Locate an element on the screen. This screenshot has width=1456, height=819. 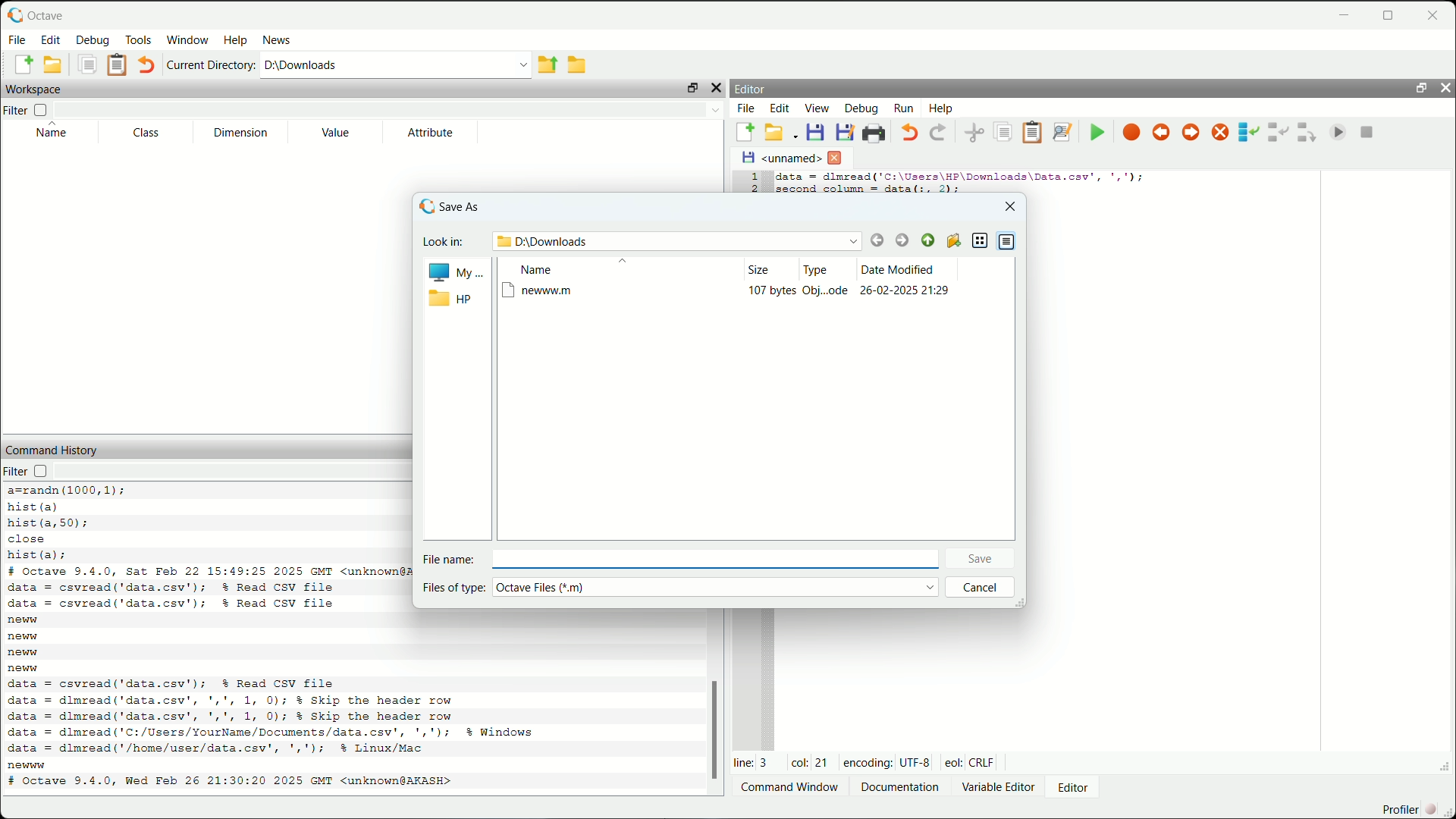
window is located at coordinates (188, 40).